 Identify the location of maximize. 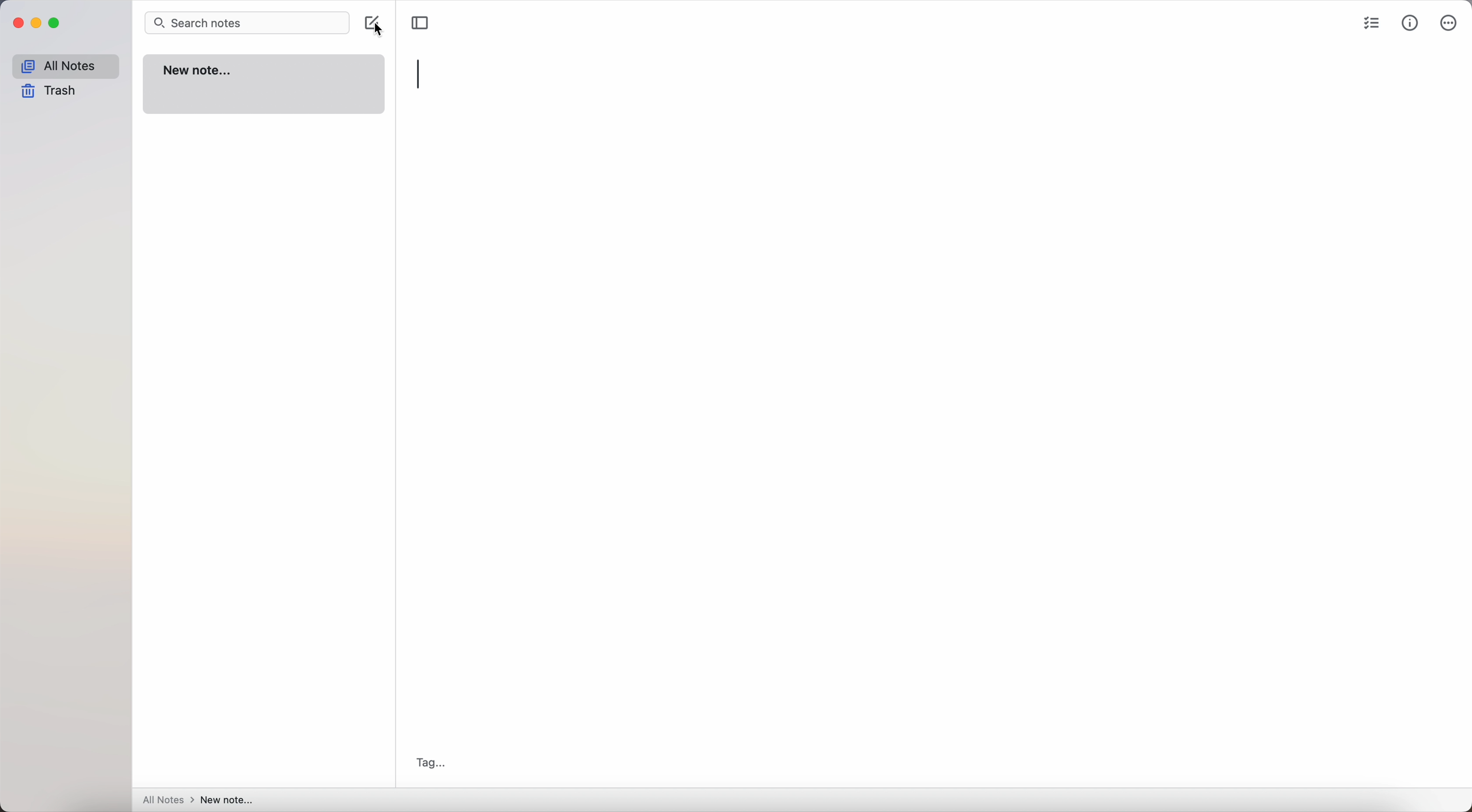
(56, 23).